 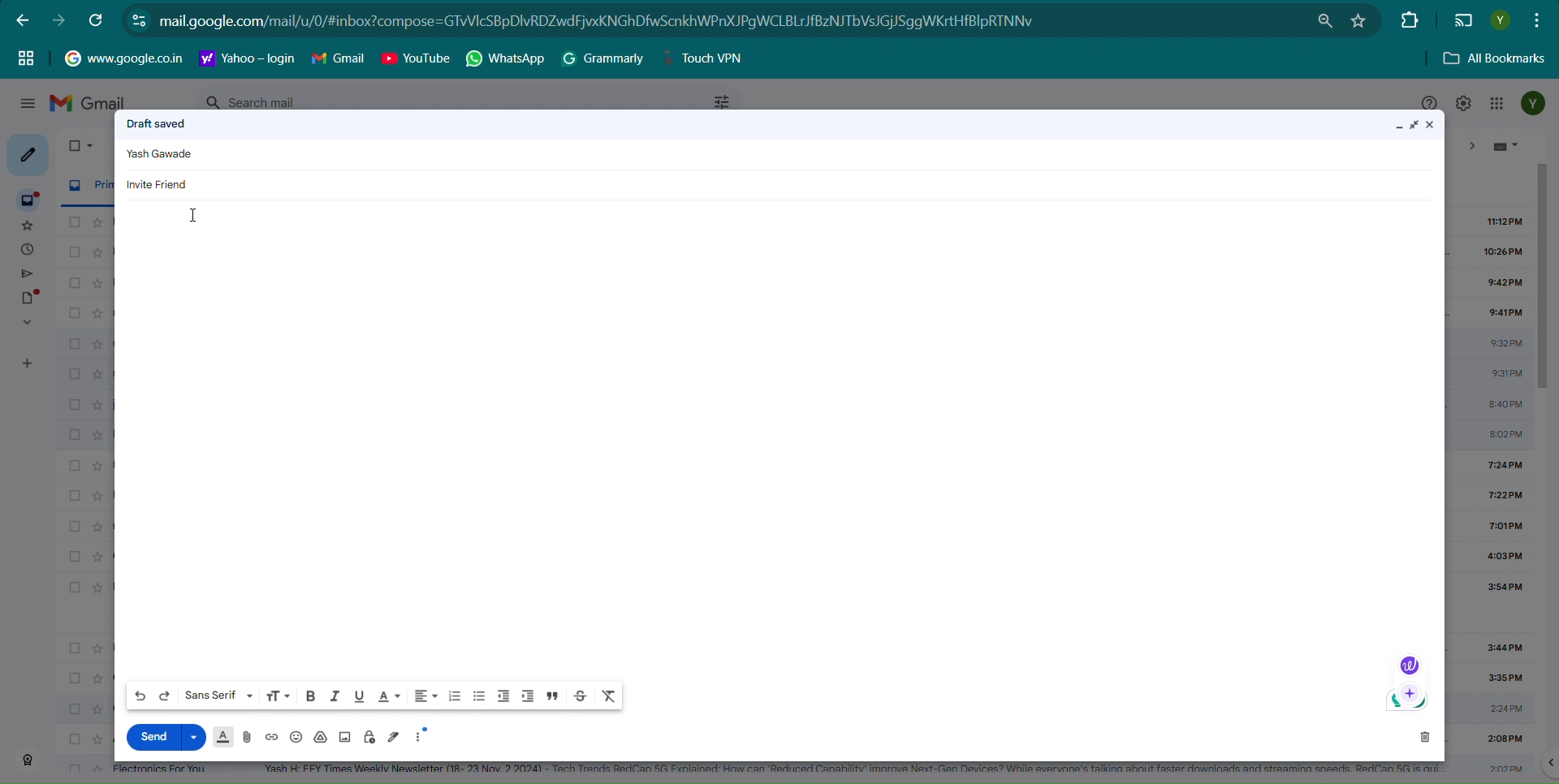 What do you see at coordinates (157, 123) in the screenshot?
I see `Text` at bounding box center [157, 123].